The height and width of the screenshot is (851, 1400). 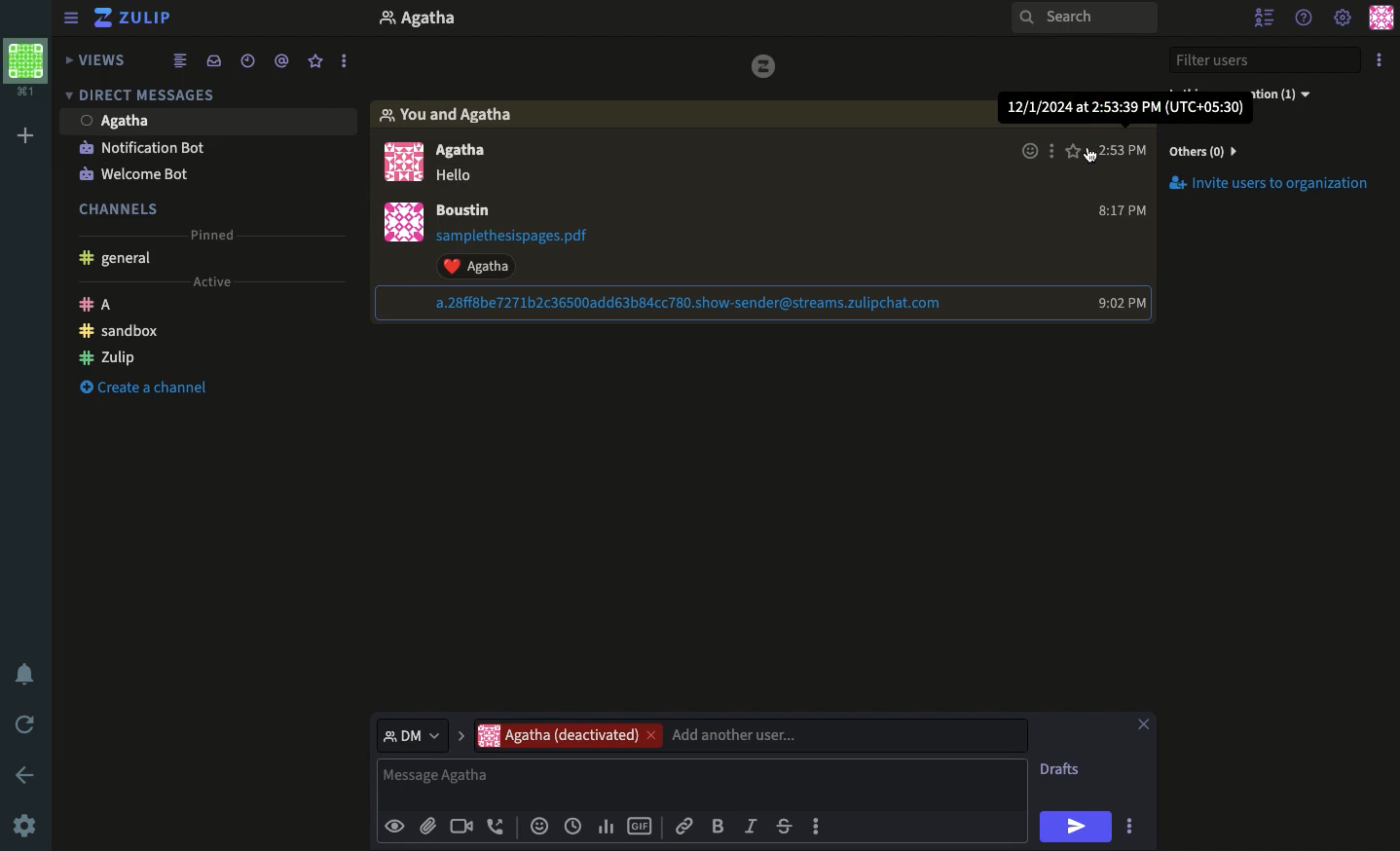 I want to click on File attachment, so click(x=669, y=305).